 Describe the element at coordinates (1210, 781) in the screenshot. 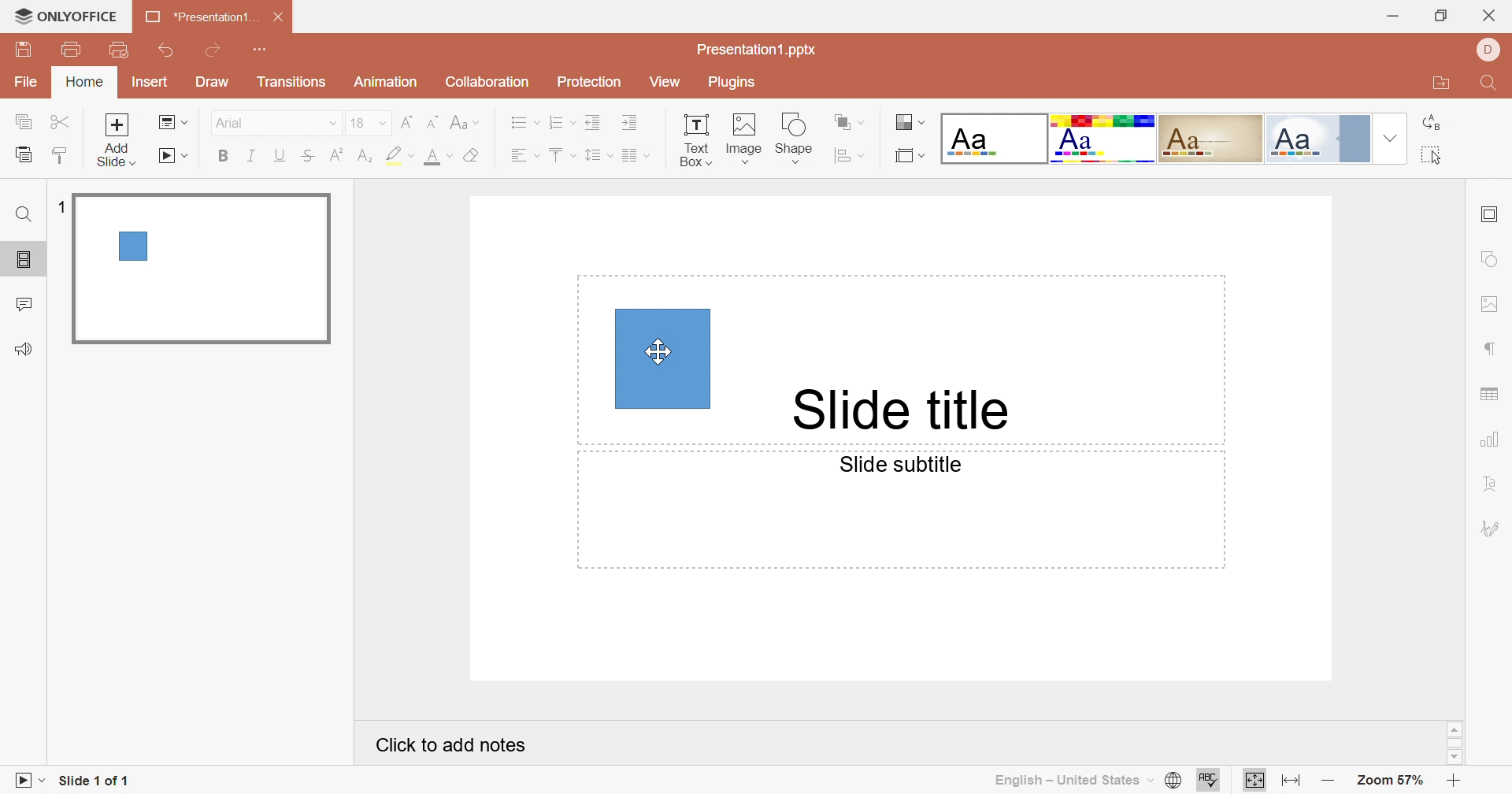

I see `Check spelling` at that location.